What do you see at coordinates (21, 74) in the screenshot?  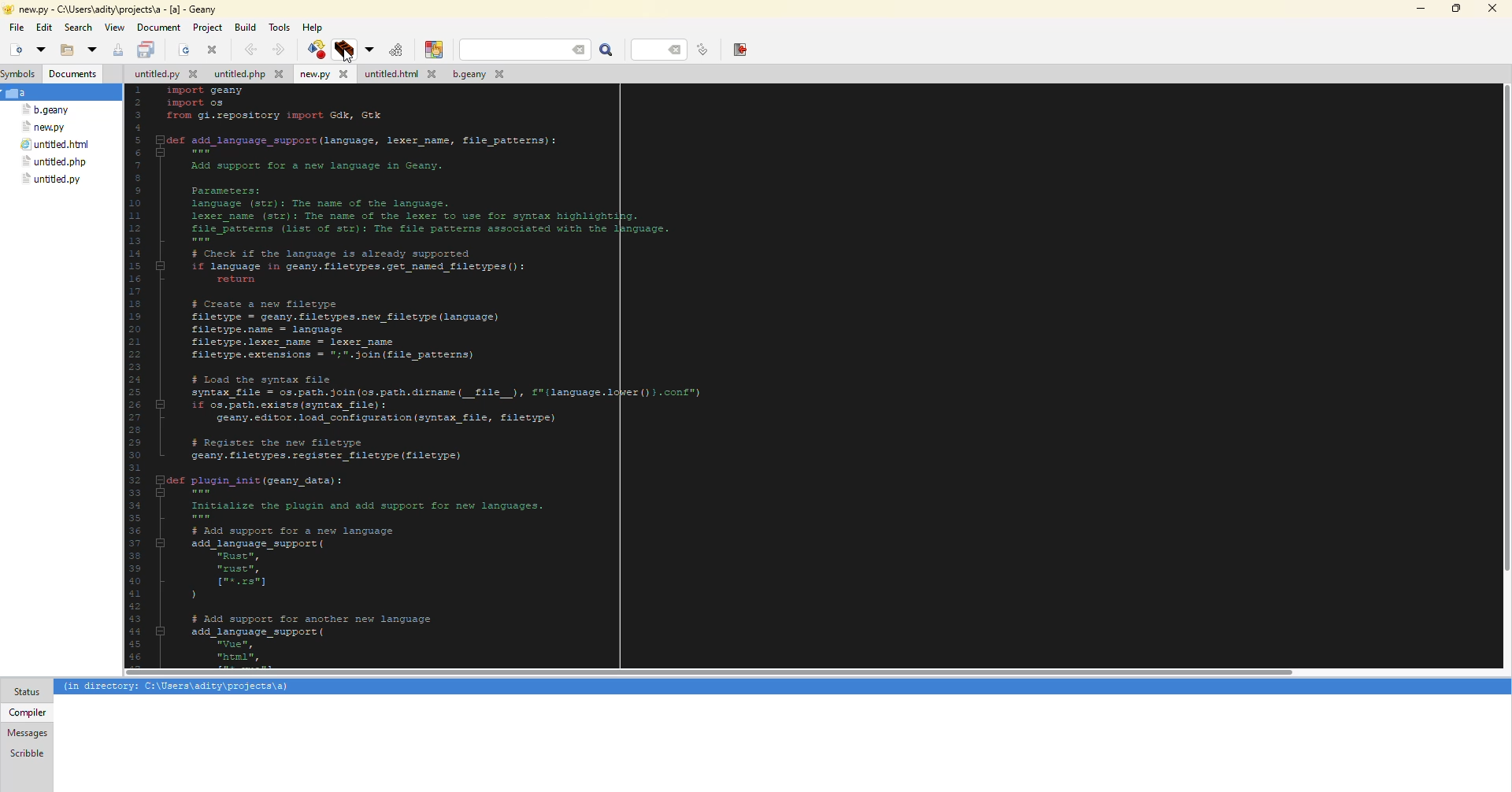 I see `symbols` at bounding box center [21, 74].